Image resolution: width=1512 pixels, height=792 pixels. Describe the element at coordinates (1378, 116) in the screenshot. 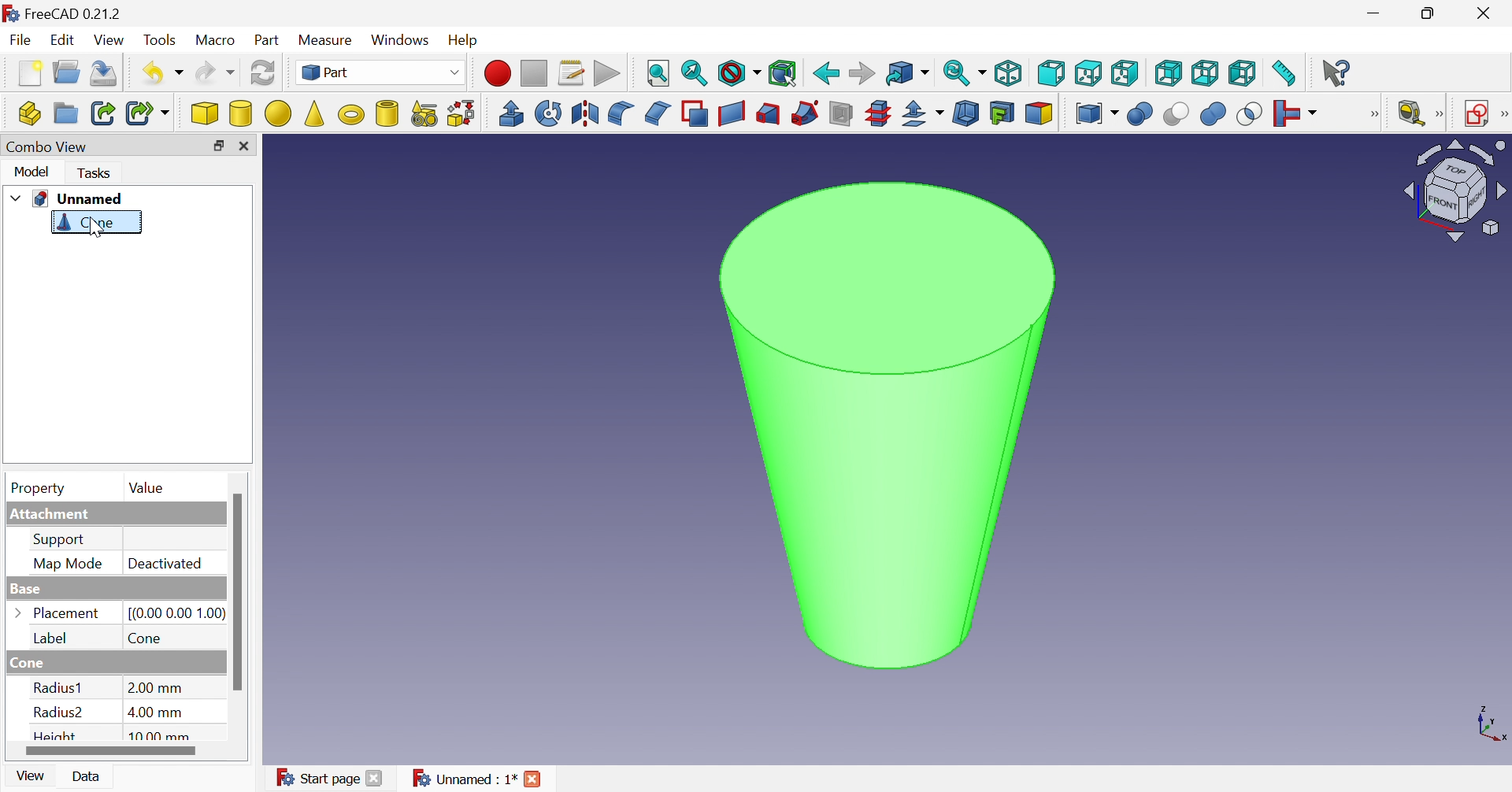

I see `[Boolean]` at that location.